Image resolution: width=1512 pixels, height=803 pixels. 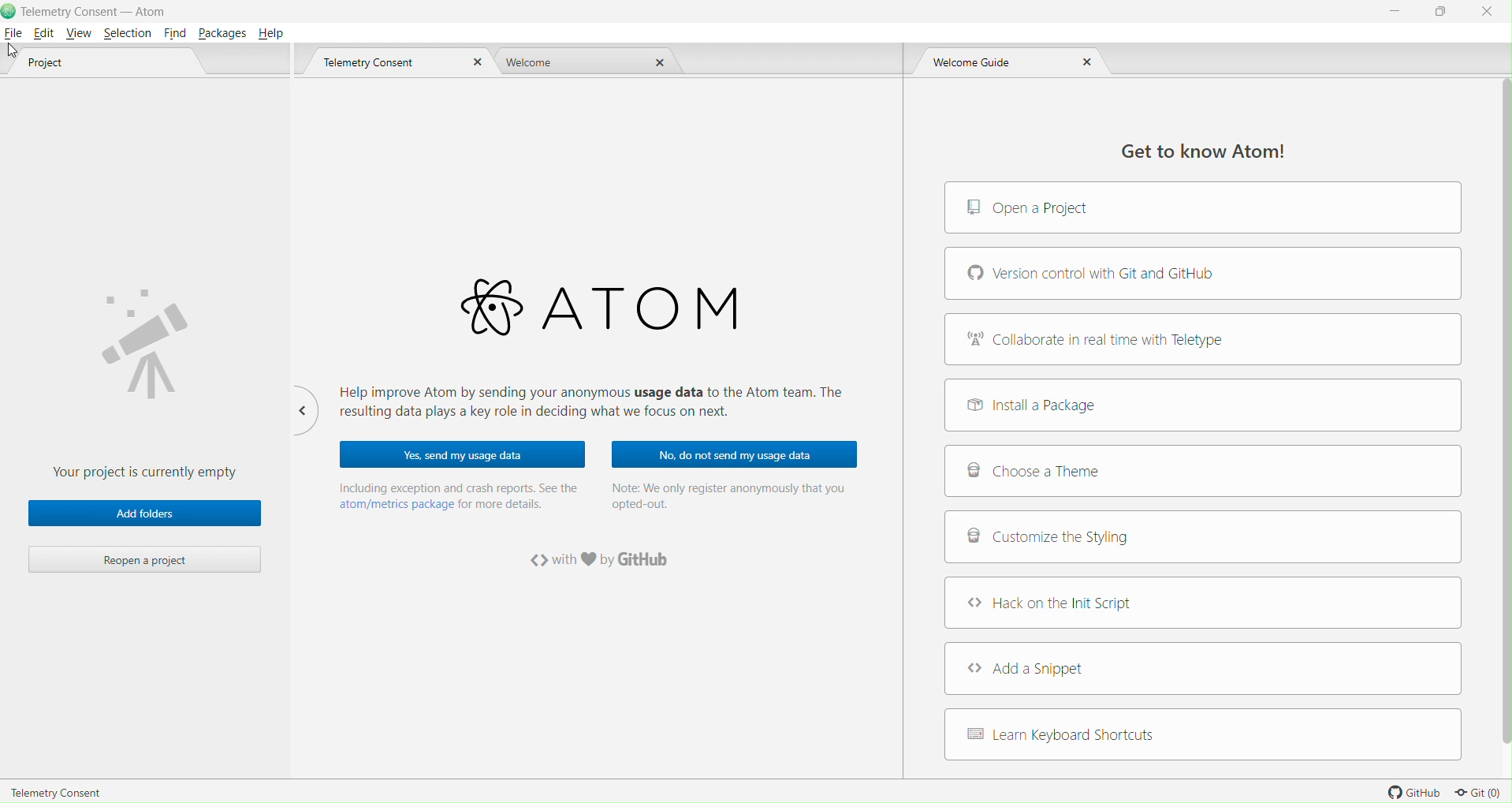 What do you see at coordinates (222, 32) in the screenshot?
I see `Packages` at bounding box center [222, 32].